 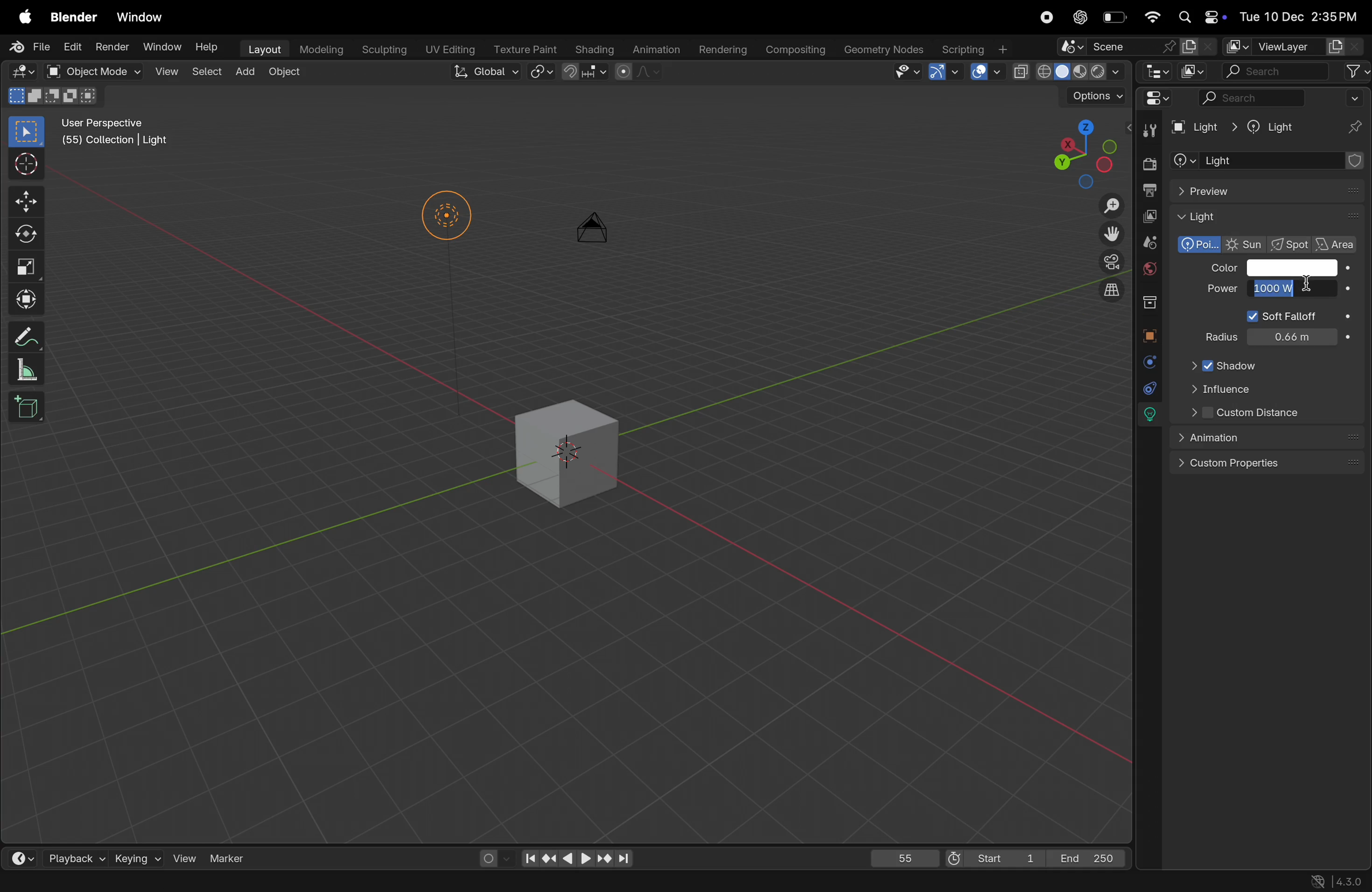 What do you see at coordinates (208, 74) in the screenshot?
I see `select` at bounding box center [208, 74].